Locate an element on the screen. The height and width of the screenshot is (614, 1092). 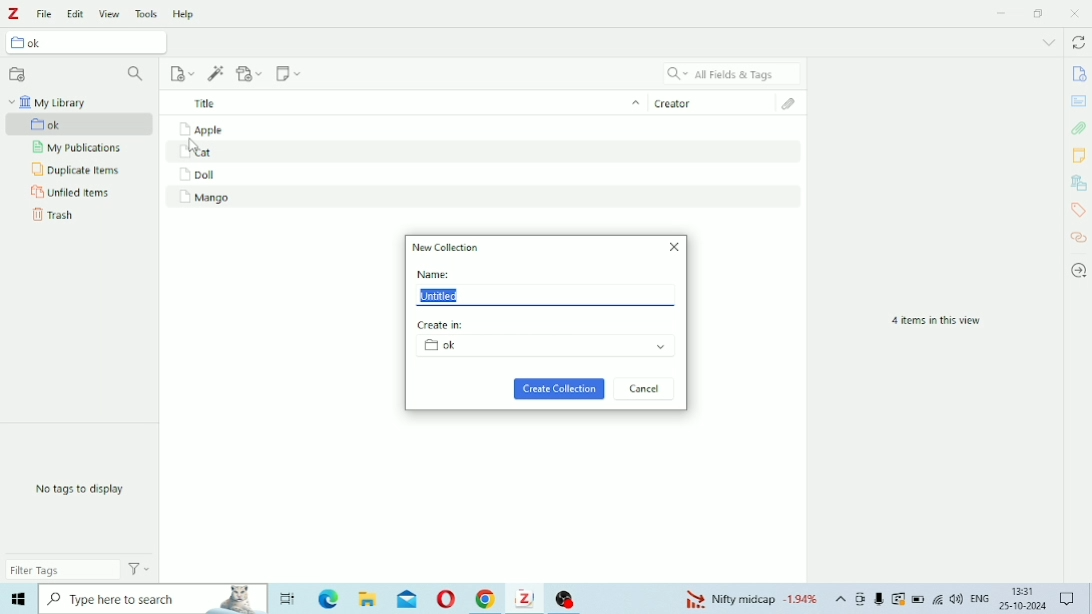
Filter Tags is located at coordinates (63, 569).